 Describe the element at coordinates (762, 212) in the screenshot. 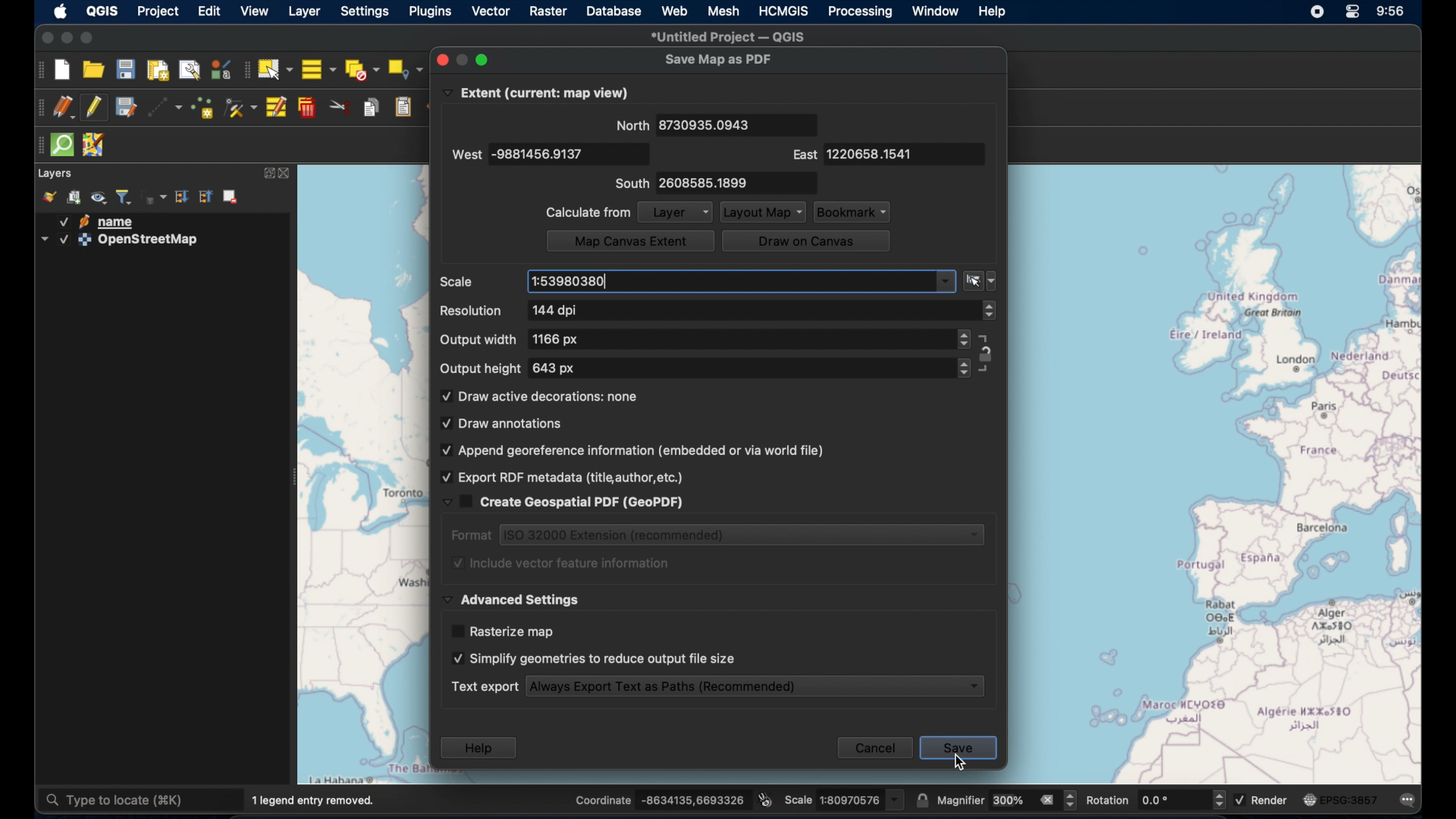

I see `layout map dropdown menu` at that location.